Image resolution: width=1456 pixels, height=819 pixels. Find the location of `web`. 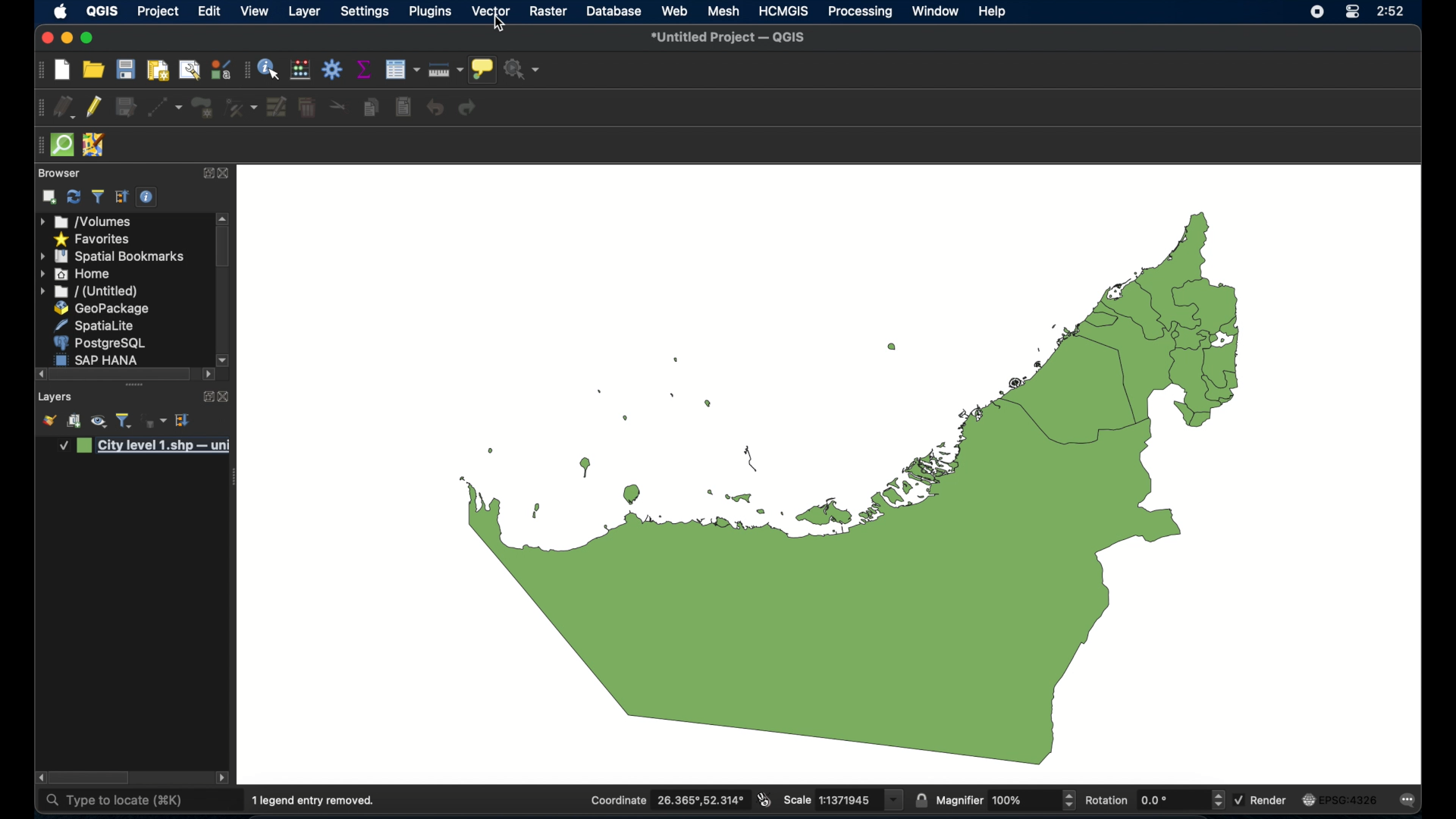

web is located at coordinates (674, 11).